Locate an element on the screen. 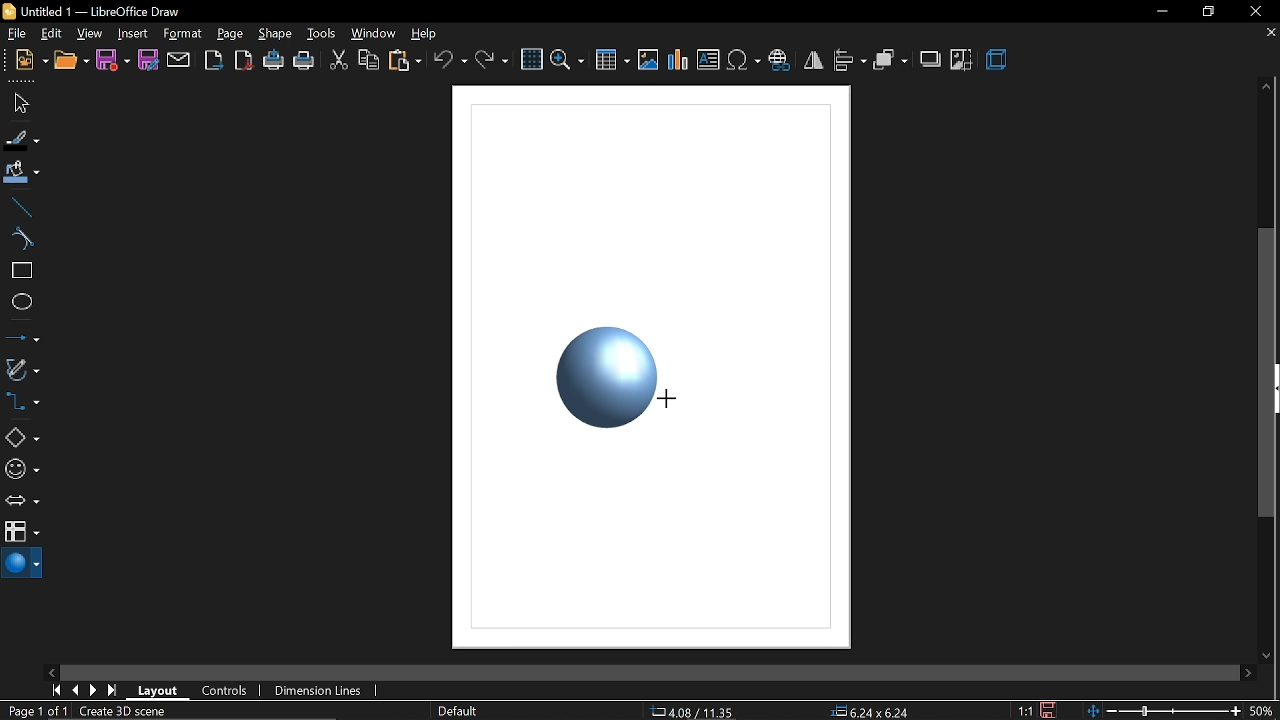 The image size is (1280, 720). tools is located at coordinates (322, 34).